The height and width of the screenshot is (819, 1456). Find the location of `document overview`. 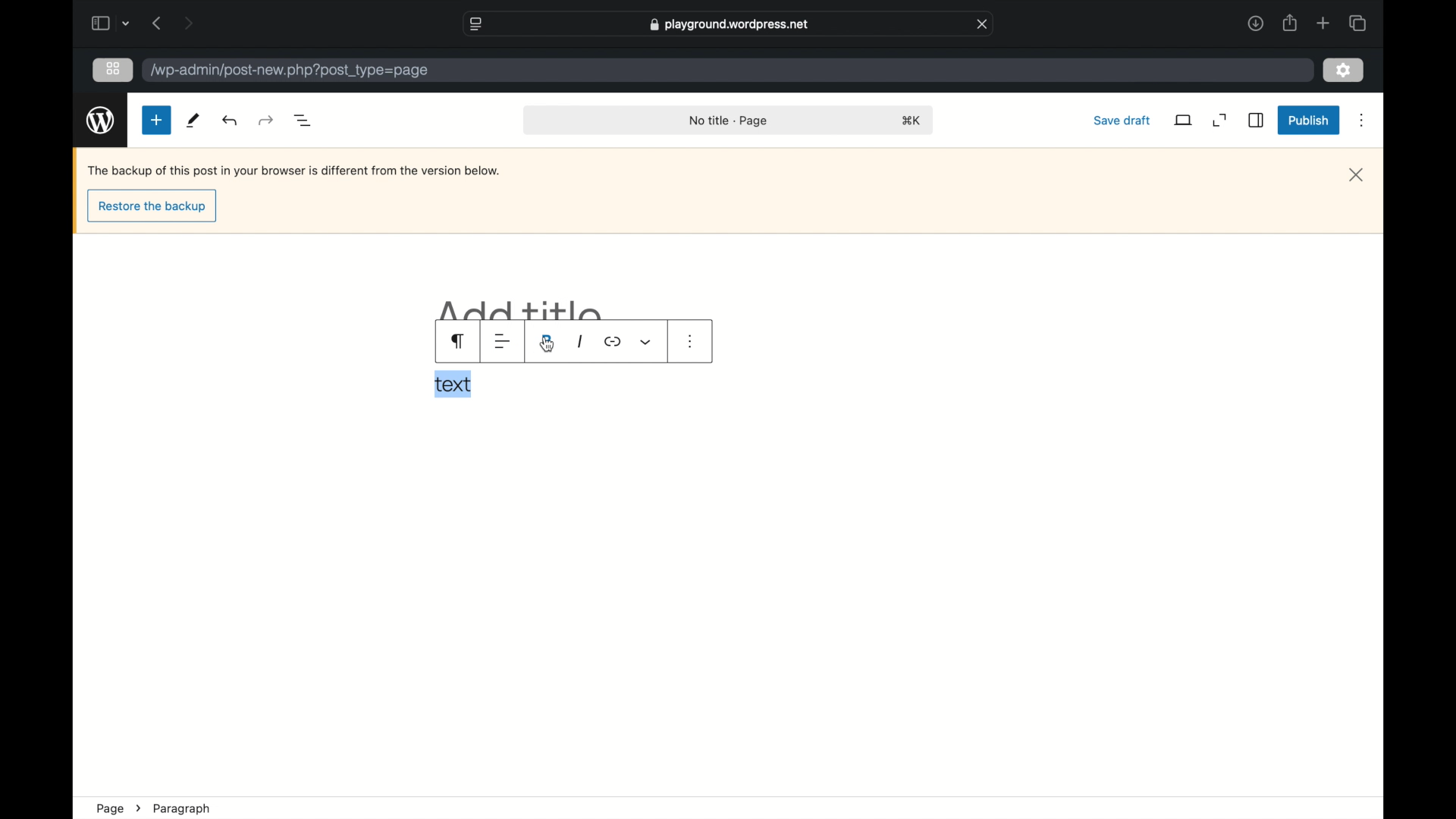

document overview is located at coordinates (302, 119).